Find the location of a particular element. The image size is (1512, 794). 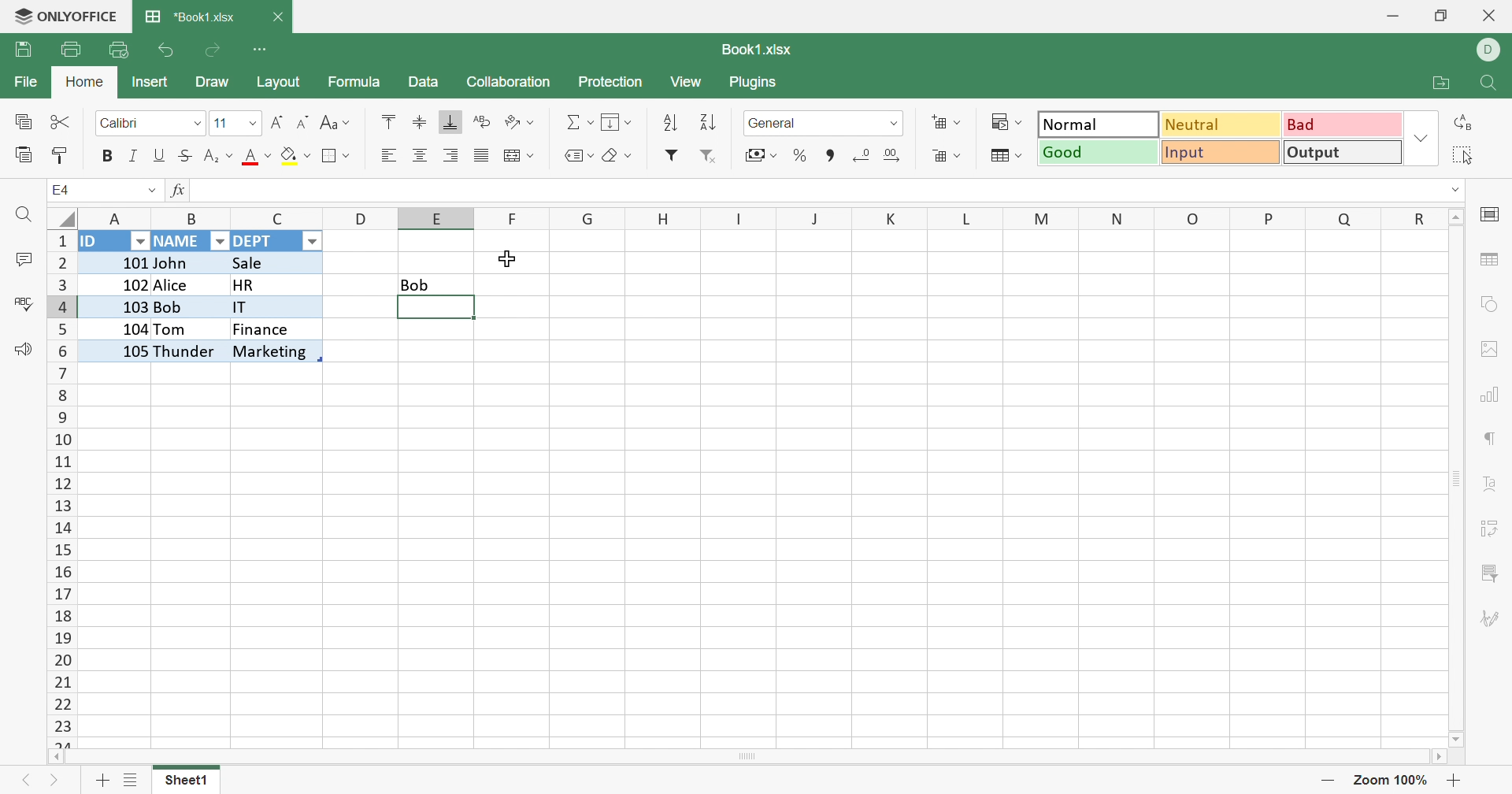

fx is located at coordinates (172, 191).